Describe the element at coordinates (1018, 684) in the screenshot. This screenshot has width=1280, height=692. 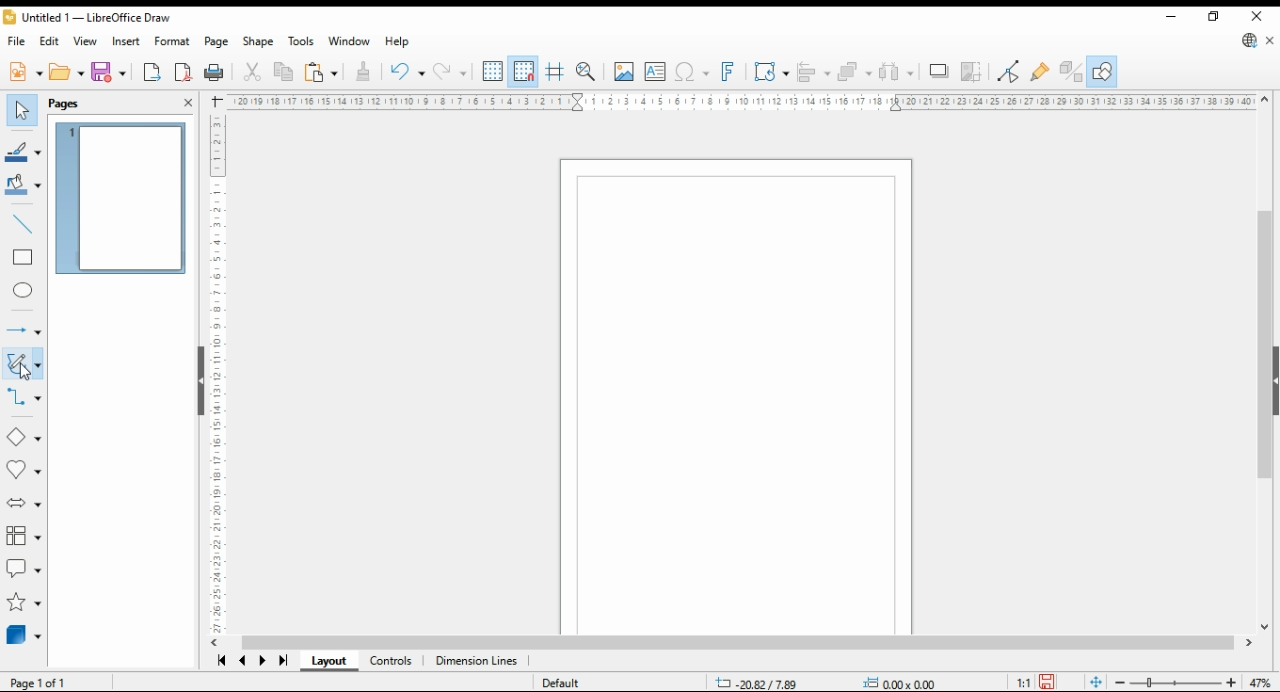
I see `1:1` at that location.